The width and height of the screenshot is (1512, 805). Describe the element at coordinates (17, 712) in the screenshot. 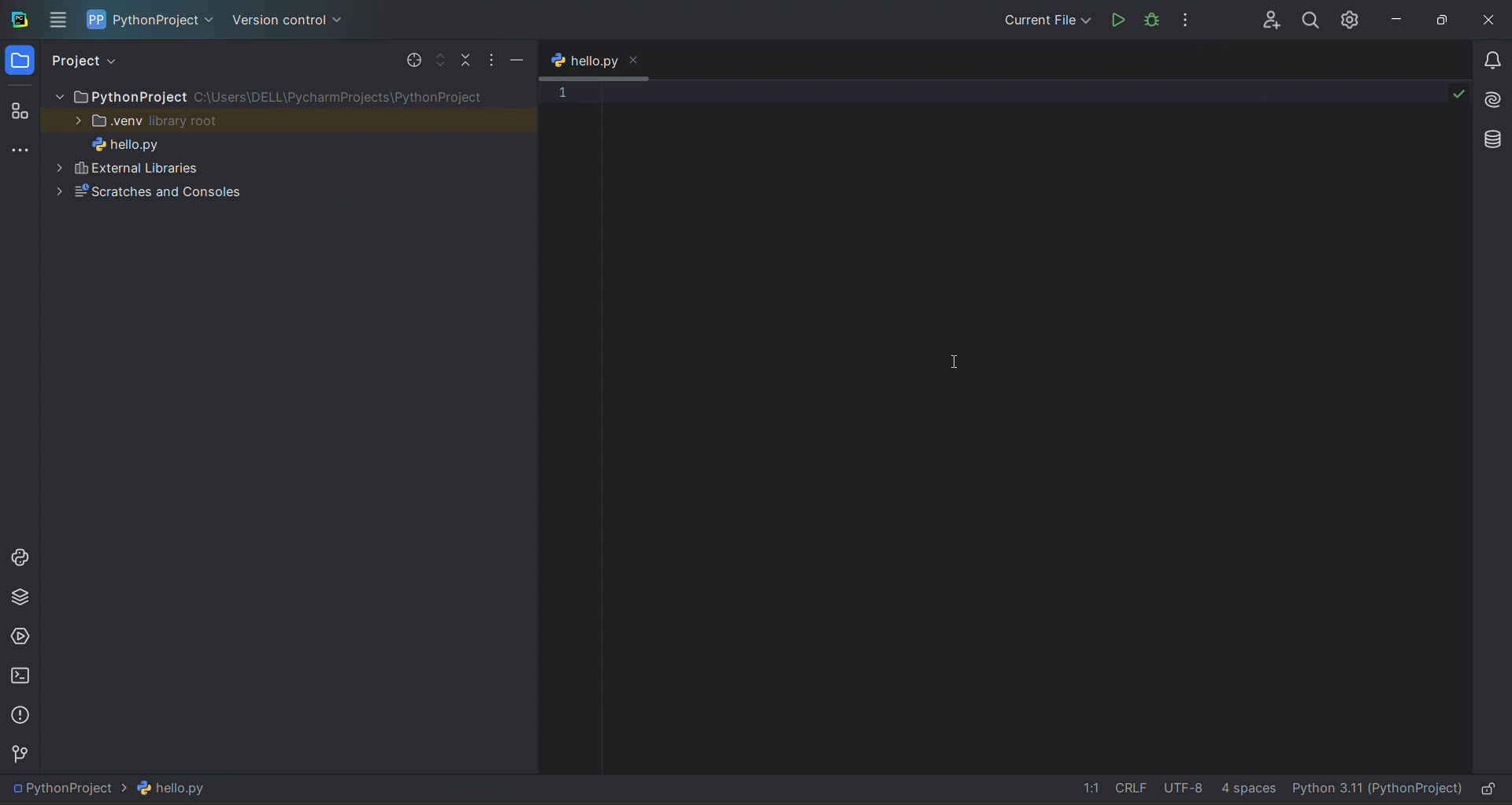

I see `problems` at that location.